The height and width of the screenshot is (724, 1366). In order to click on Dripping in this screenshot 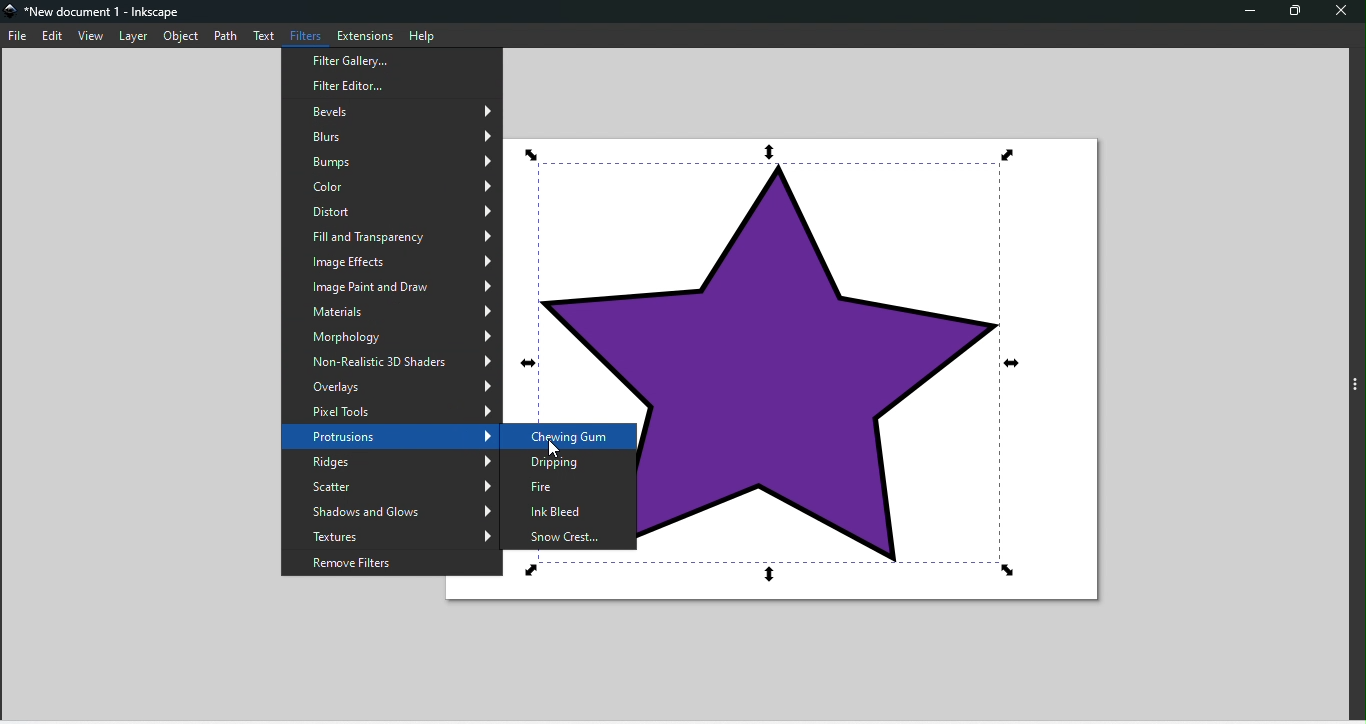, I will do `click(569, 464)`.